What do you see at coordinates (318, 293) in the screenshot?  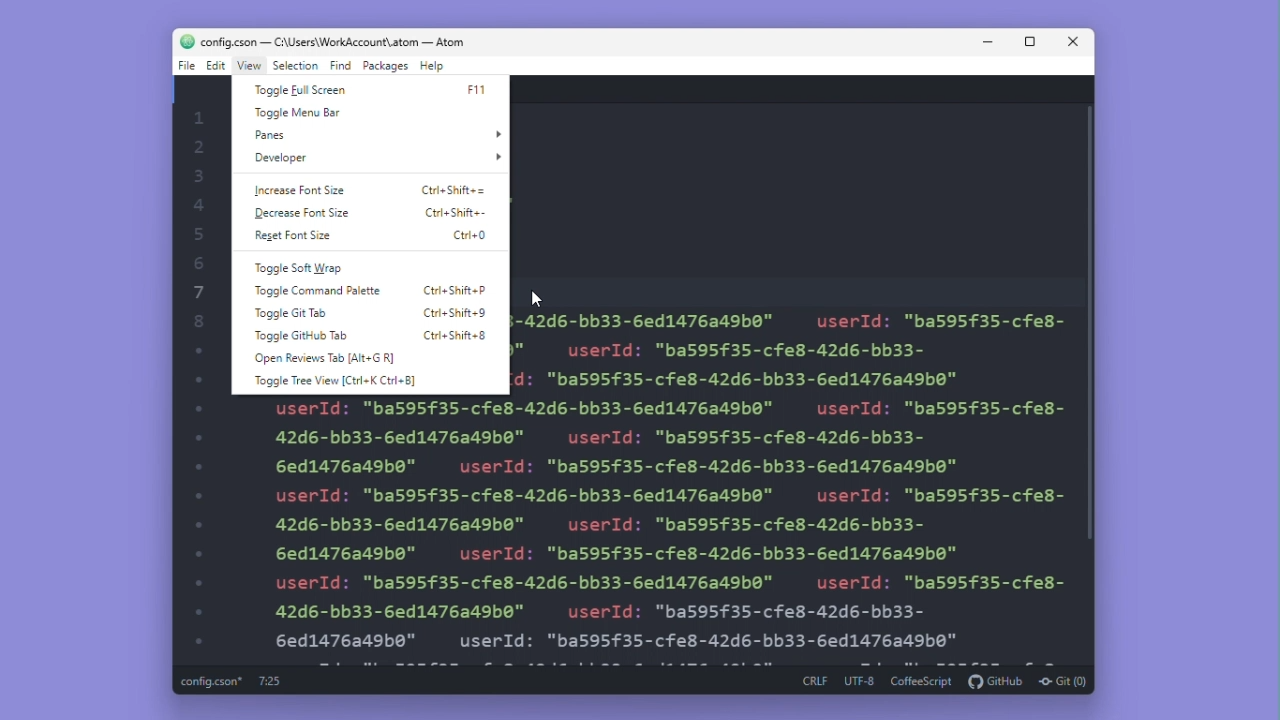 I see `toggle command palette` at bounding box center [318, 293].